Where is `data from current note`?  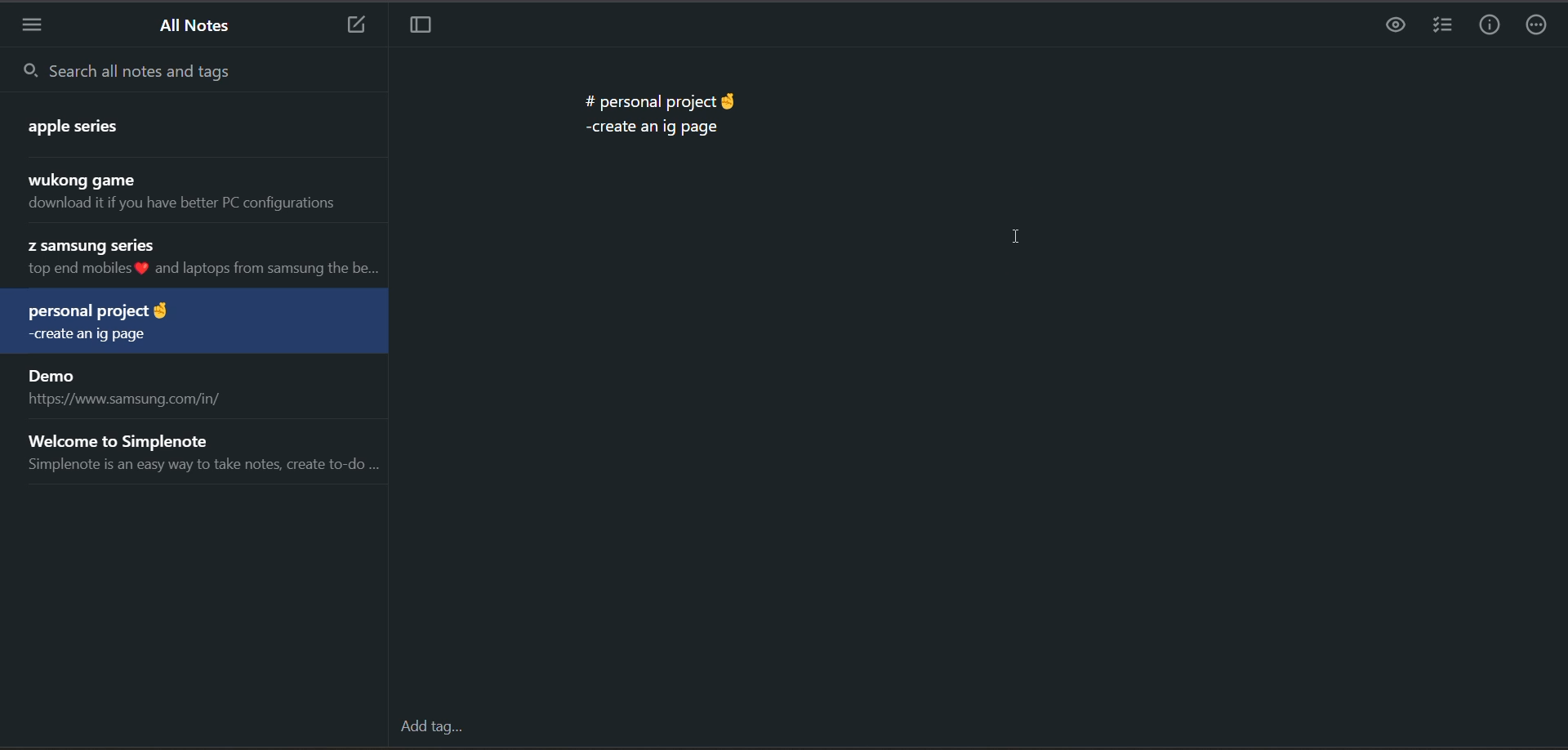
data from current note is located at coordinates (659, 109).